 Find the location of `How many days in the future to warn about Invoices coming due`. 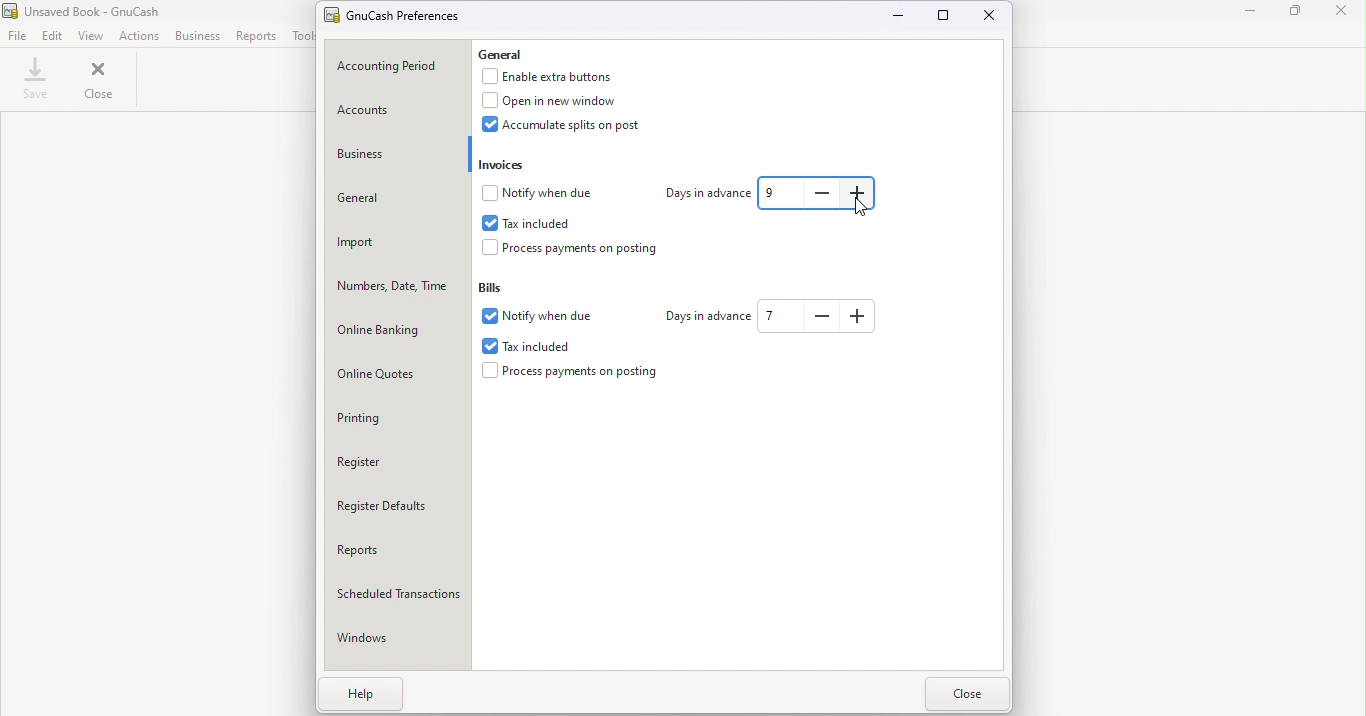

How many days in the future to warn about Invoices coming due is located at coordinates (782, 194).